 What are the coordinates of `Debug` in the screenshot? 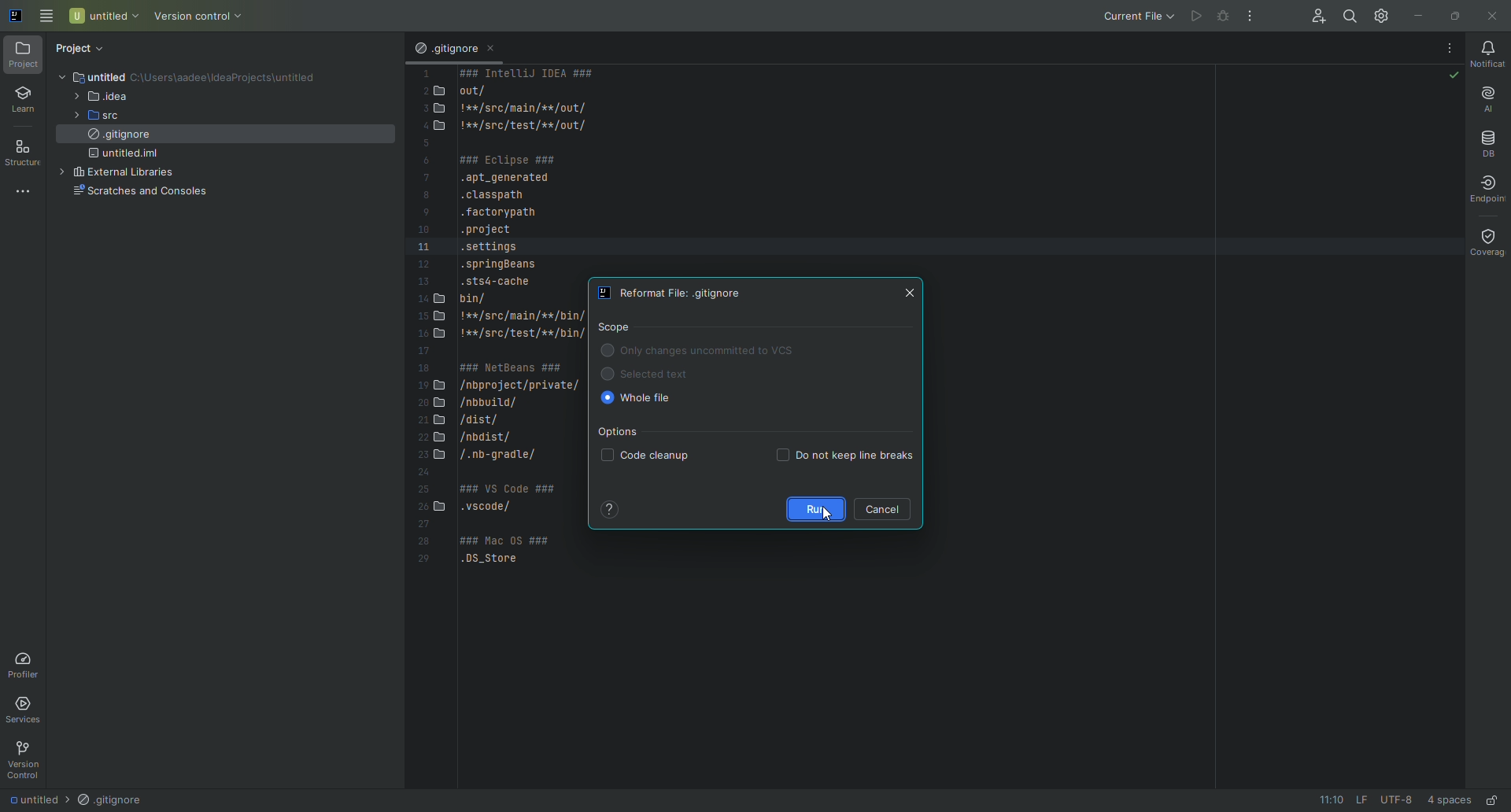 It's located at (1222, 17).